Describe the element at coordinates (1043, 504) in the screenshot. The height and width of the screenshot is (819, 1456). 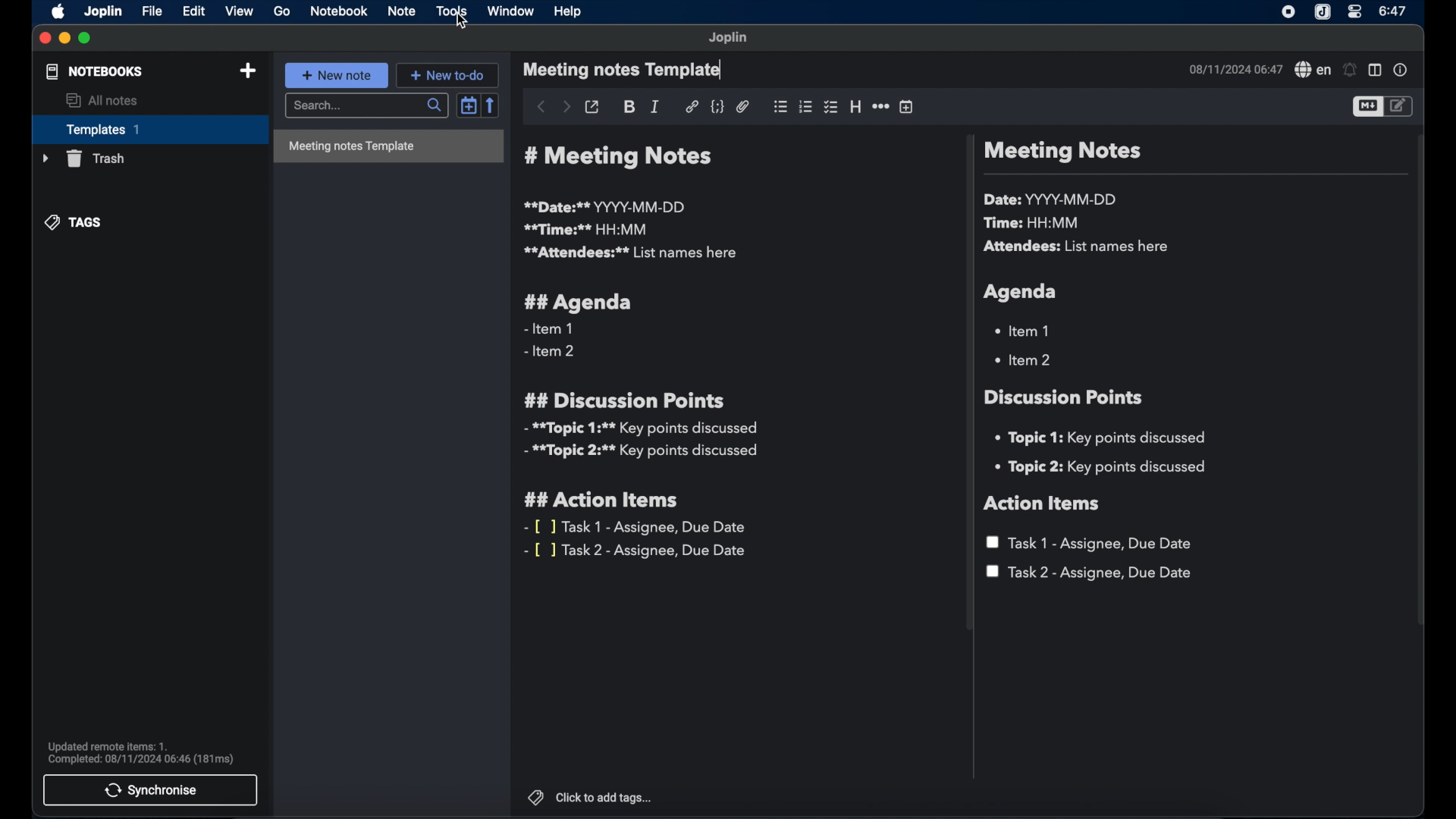
I see `action items` at that location.